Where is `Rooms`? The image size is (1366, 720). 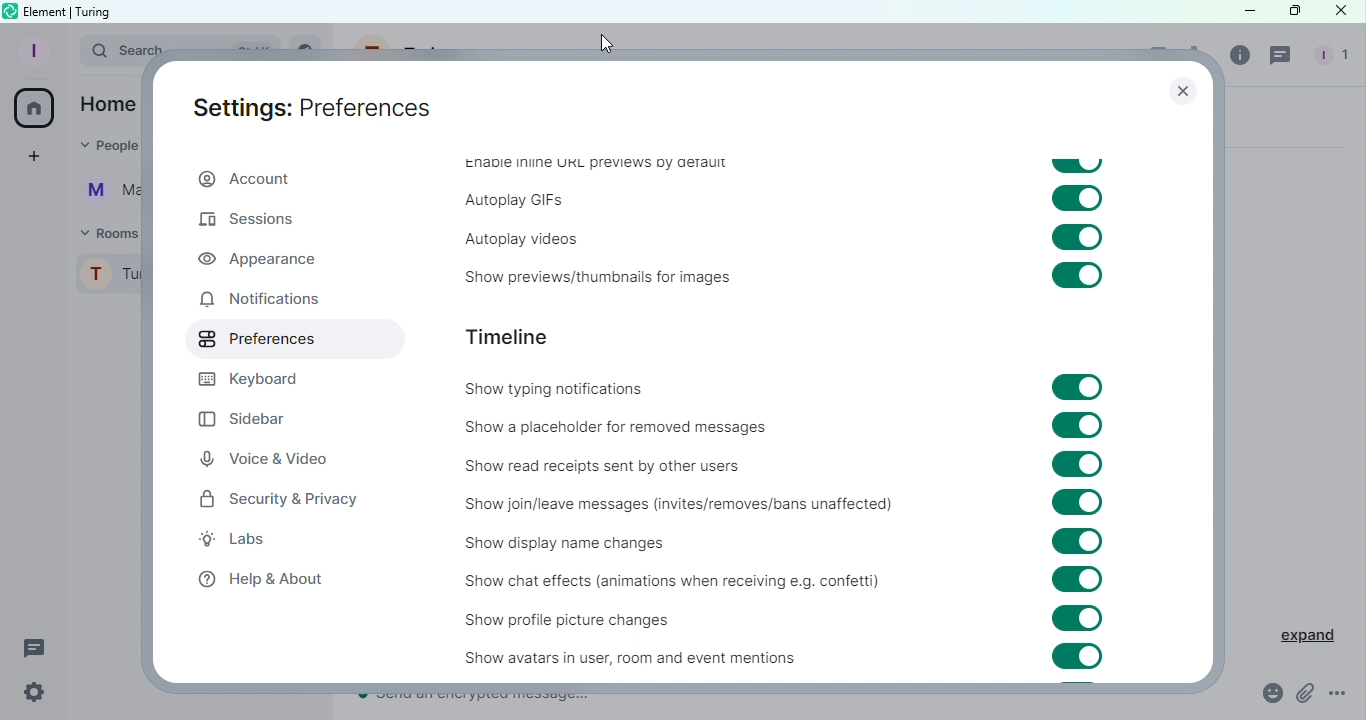
Rooms is located at coordinates (106, 232).